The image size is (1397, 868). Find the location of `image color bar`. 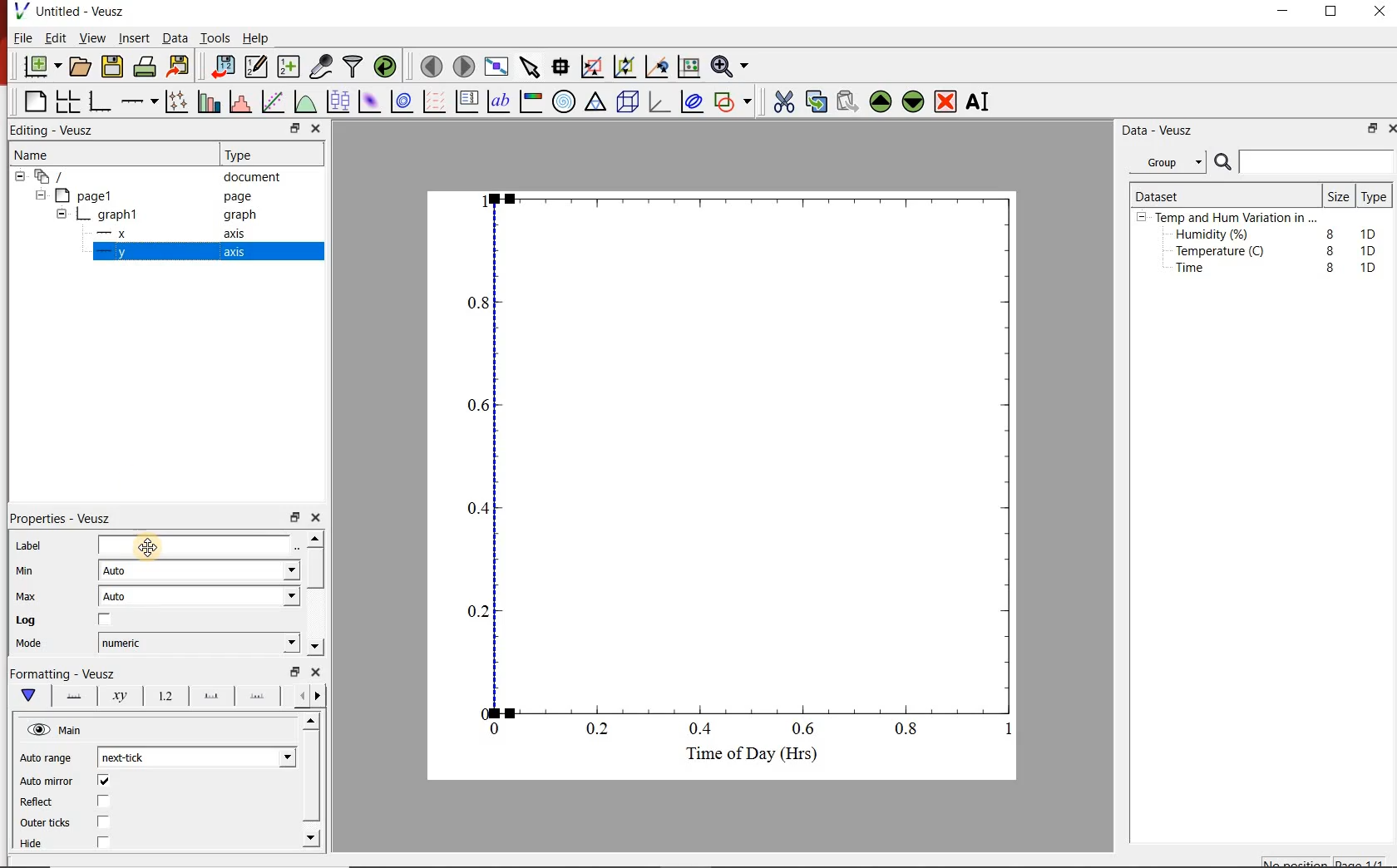

image color bar is located at coordinates (534, 101).